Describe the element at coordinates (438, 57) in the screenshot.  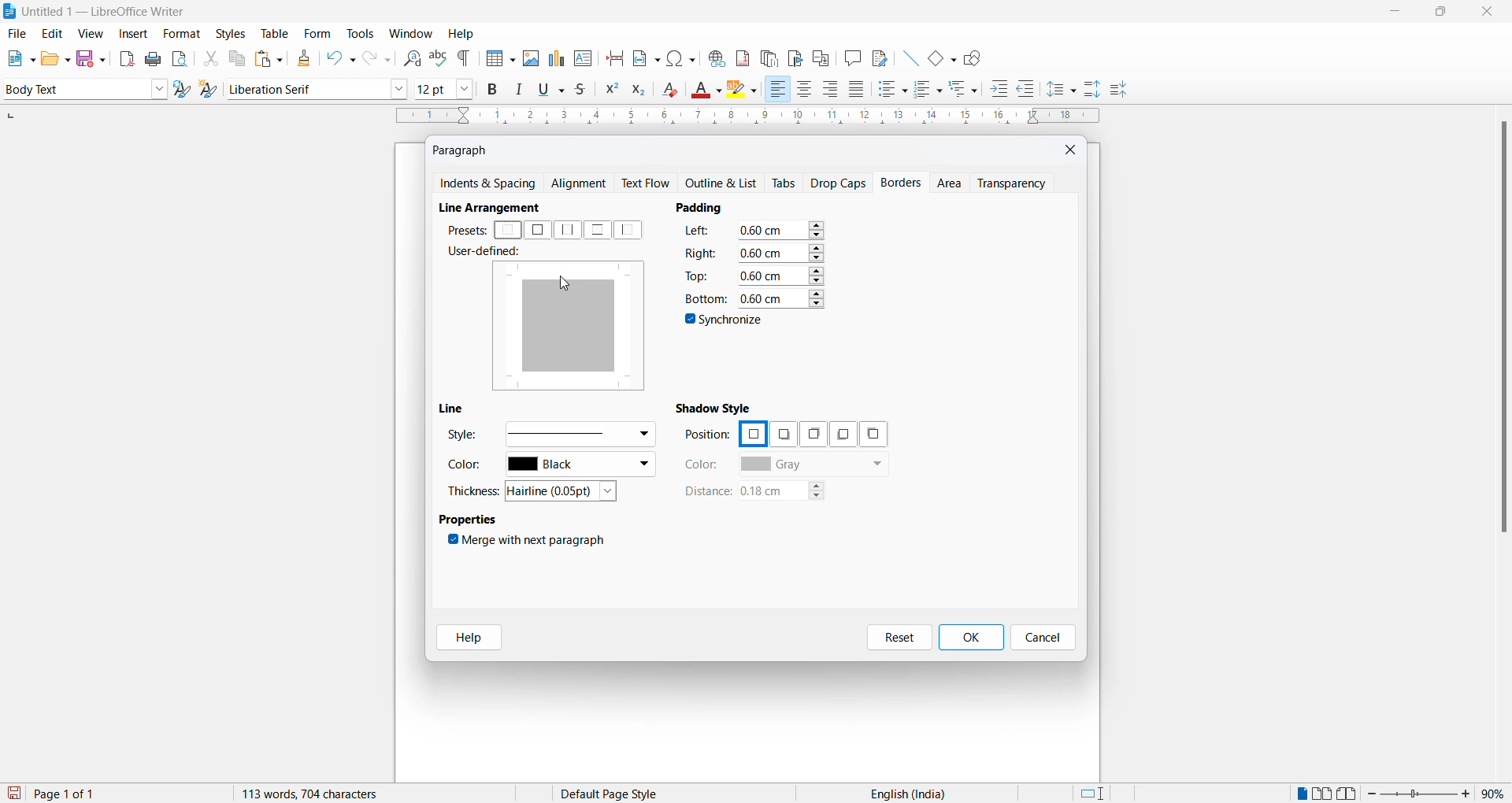
I see `spellings` at that location.